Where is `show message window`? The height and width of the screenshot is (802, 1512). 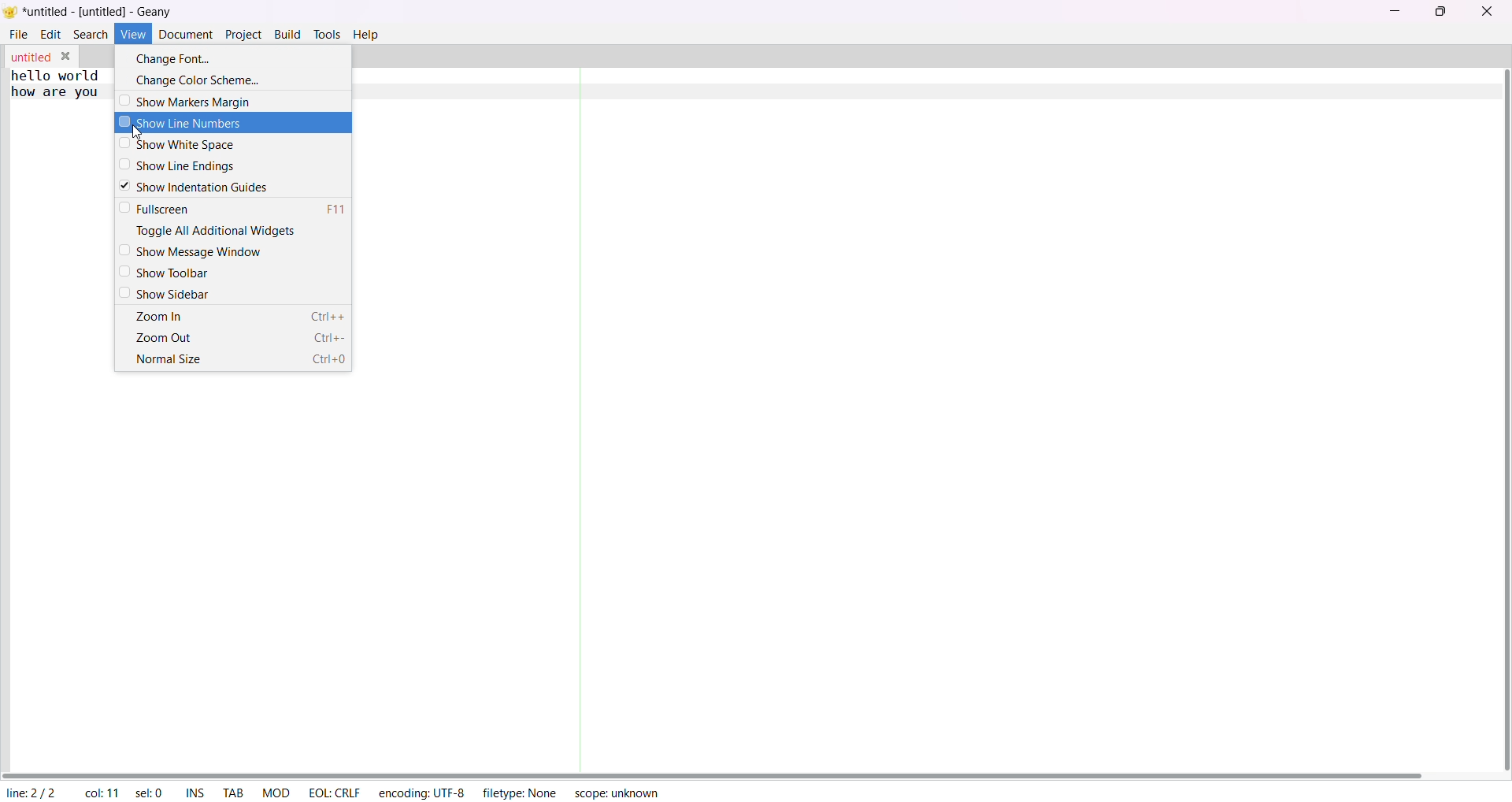
show message window is located at coordinates (191, 251).